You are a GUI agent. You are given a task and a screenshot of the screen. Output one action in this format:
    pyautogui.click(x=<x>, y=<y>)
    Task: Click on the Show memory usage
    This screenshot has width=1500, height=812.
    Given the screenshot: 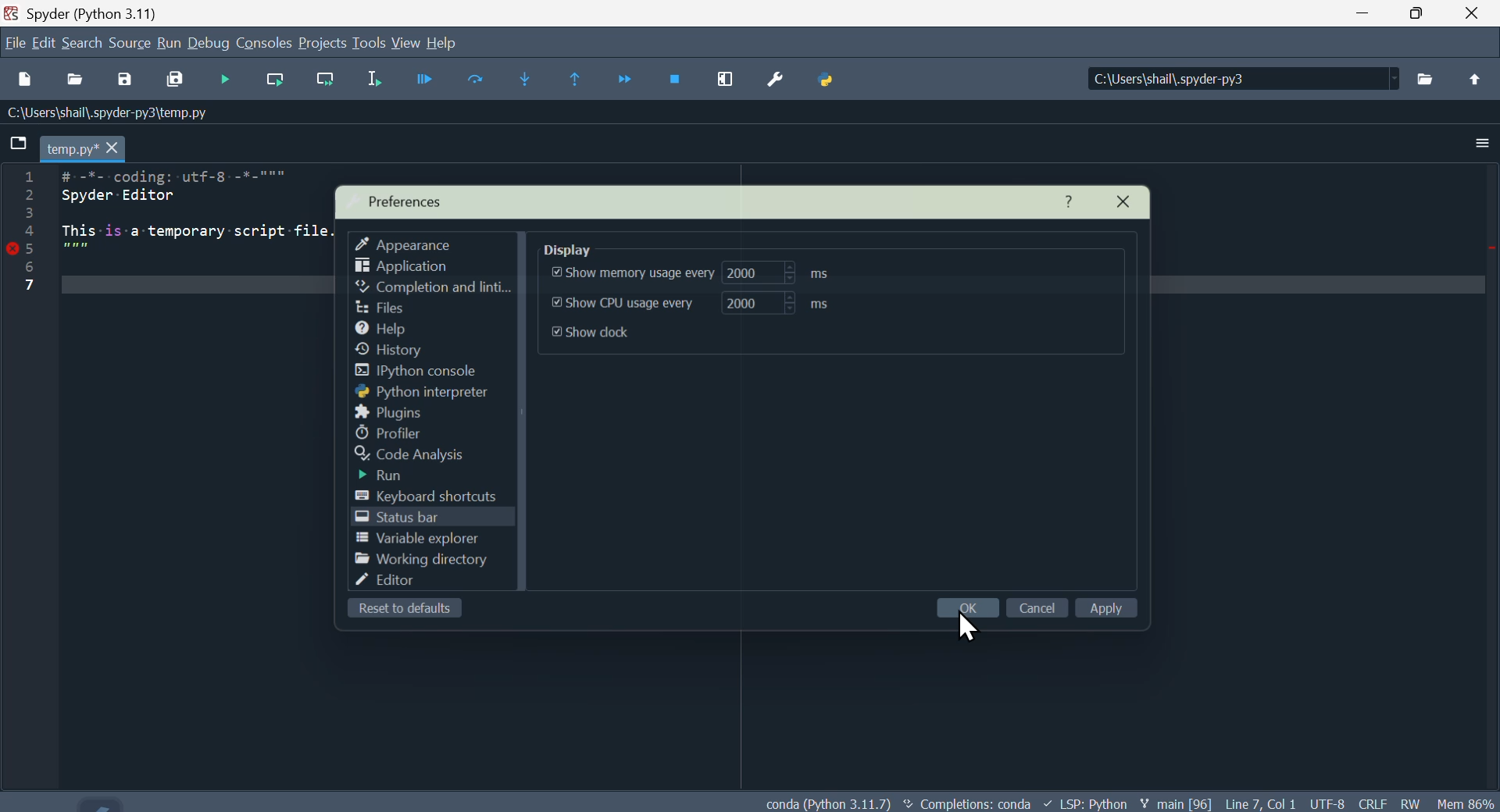 What is the action you would take?
    pyautogui.click(x=684, y=274)
    